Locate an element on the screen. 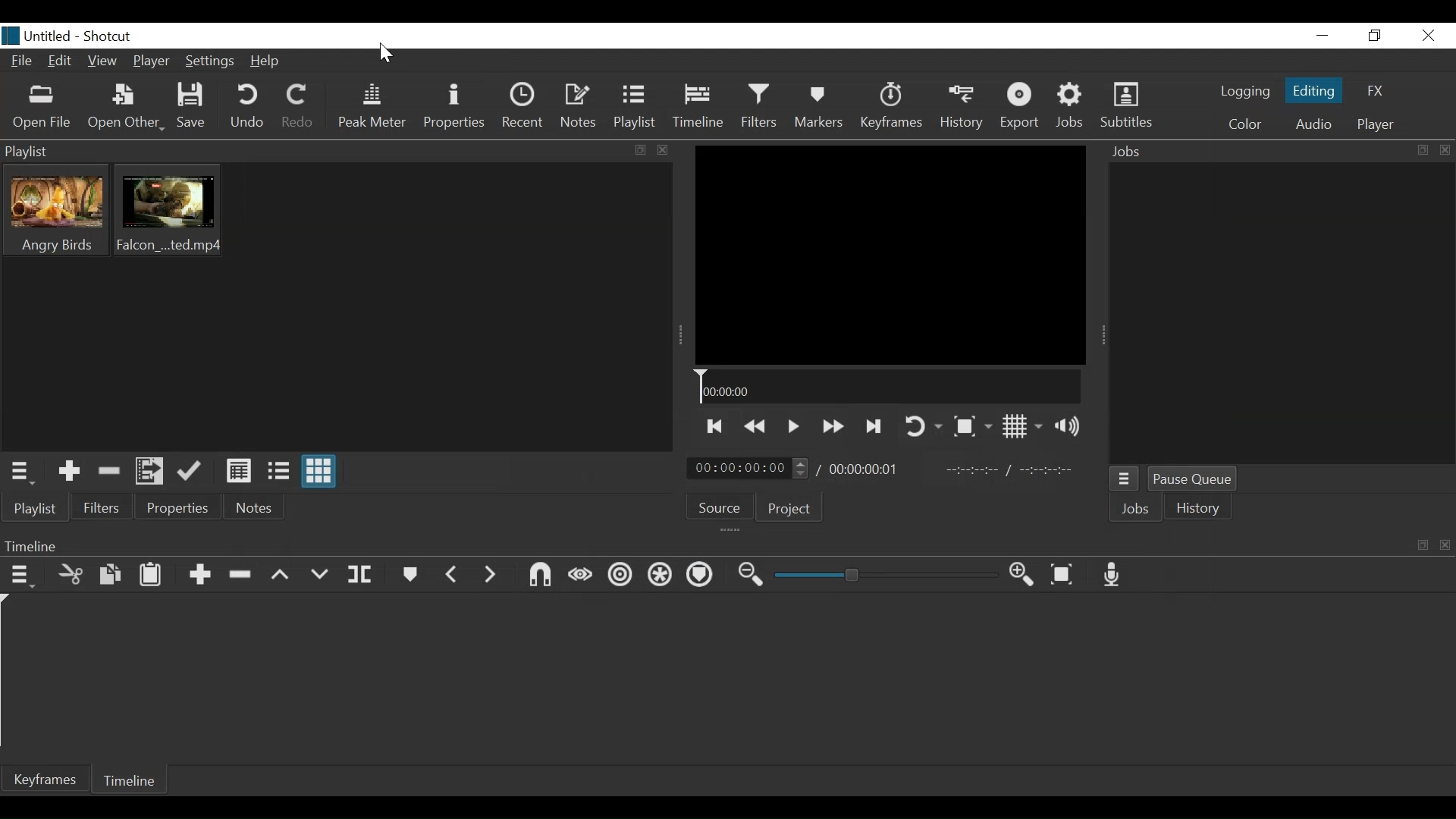 The width and height of the screenshot is (1456, 819). Cursor is located at coordinates (388, 54).